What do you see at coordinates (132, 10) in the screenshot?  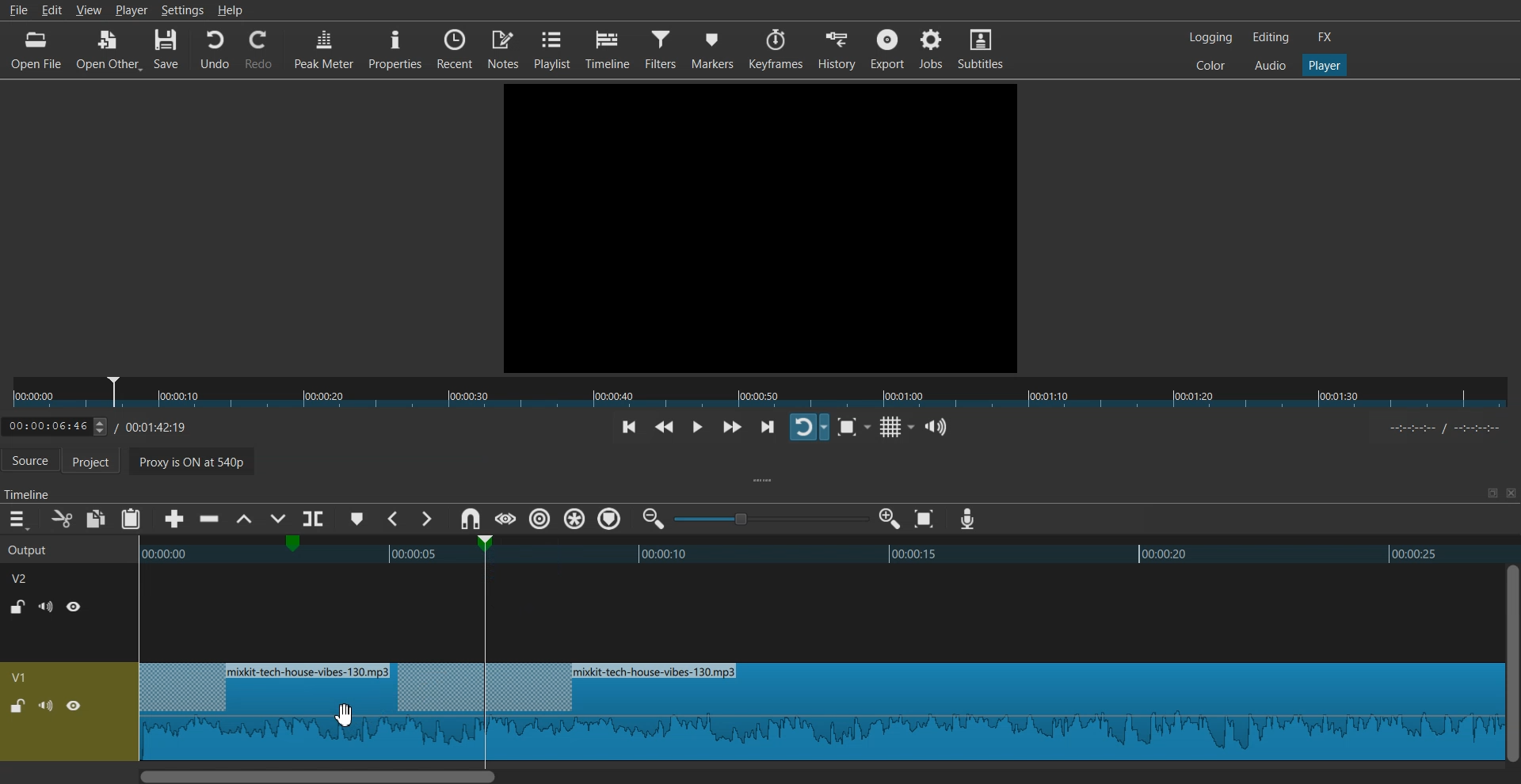 I see `Player` at bounding box center [132, 10].